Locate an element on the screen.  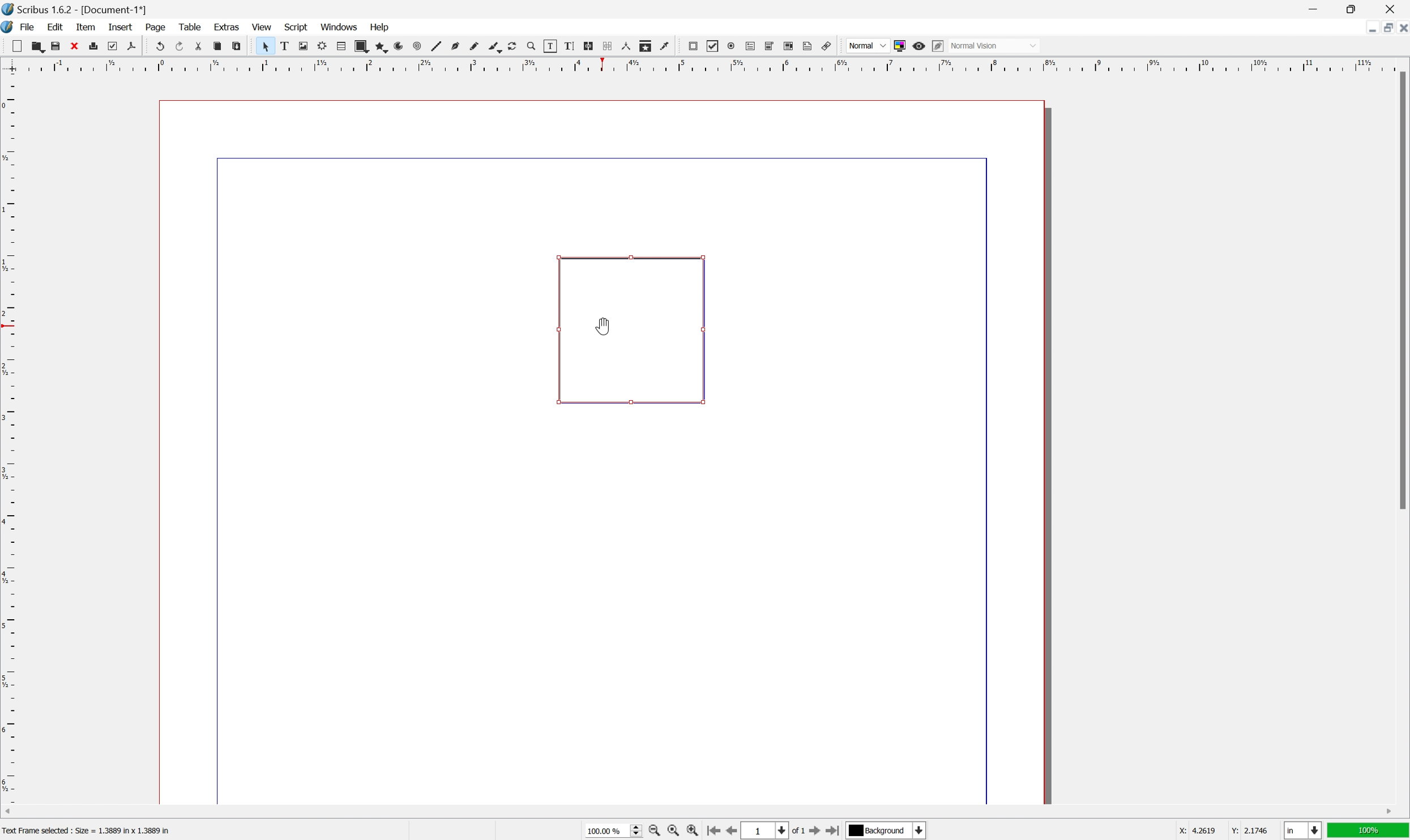
rotate item is located at coordinates (513, 46).